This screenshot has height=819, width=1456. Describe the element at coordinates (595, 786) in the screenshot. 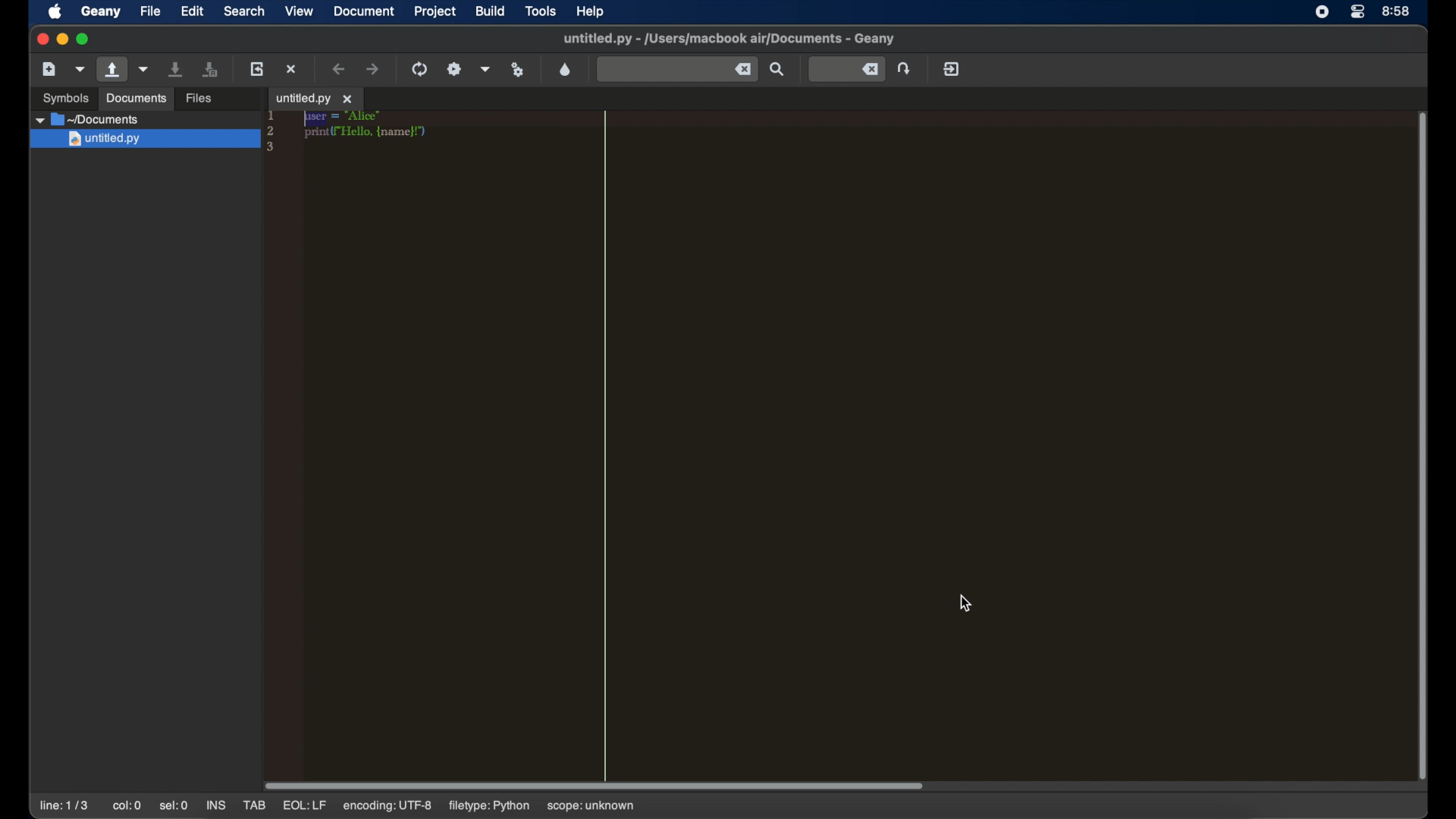

I see `scroll box` at that location.